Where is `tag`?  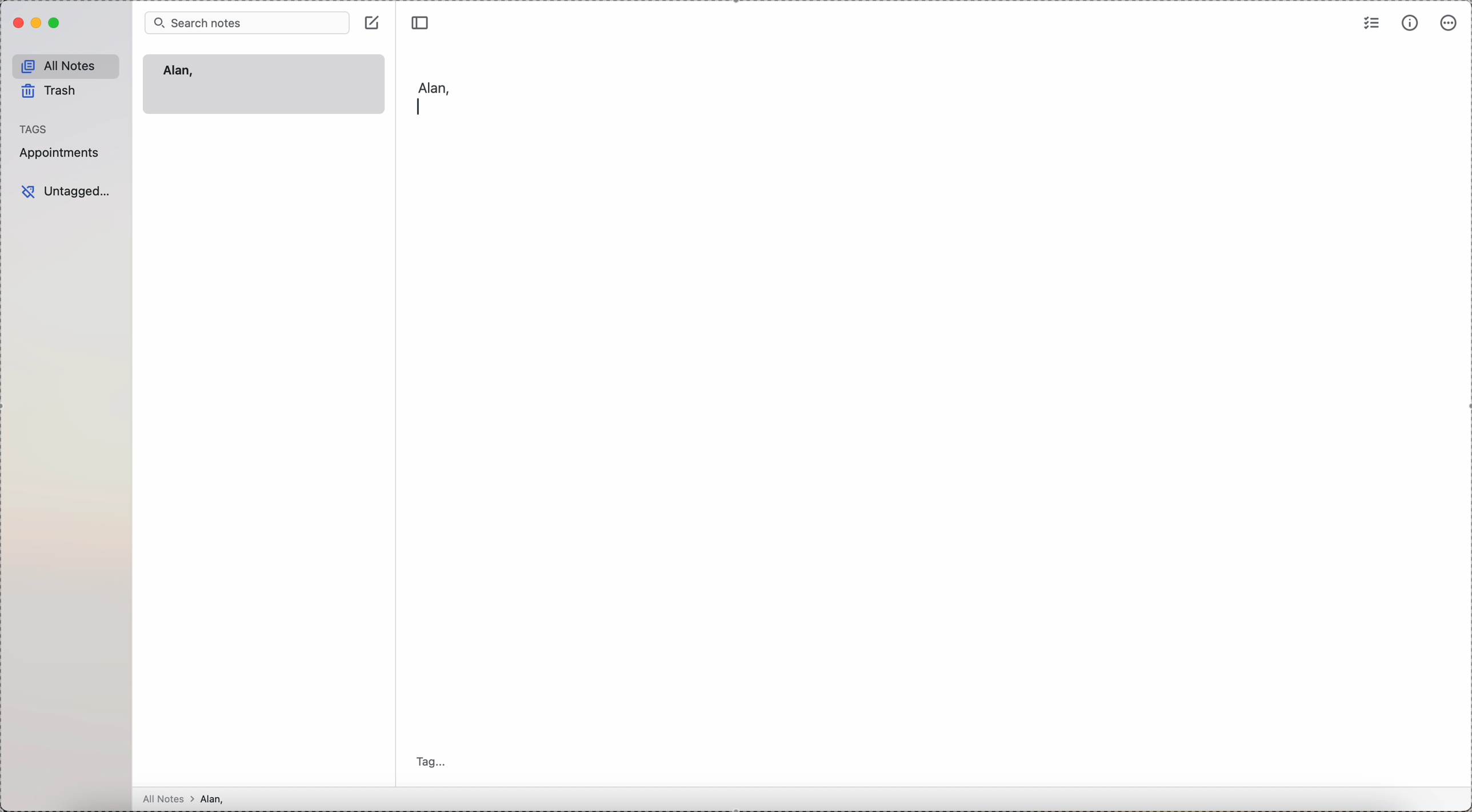 tag is located at coordinates (434, 763).